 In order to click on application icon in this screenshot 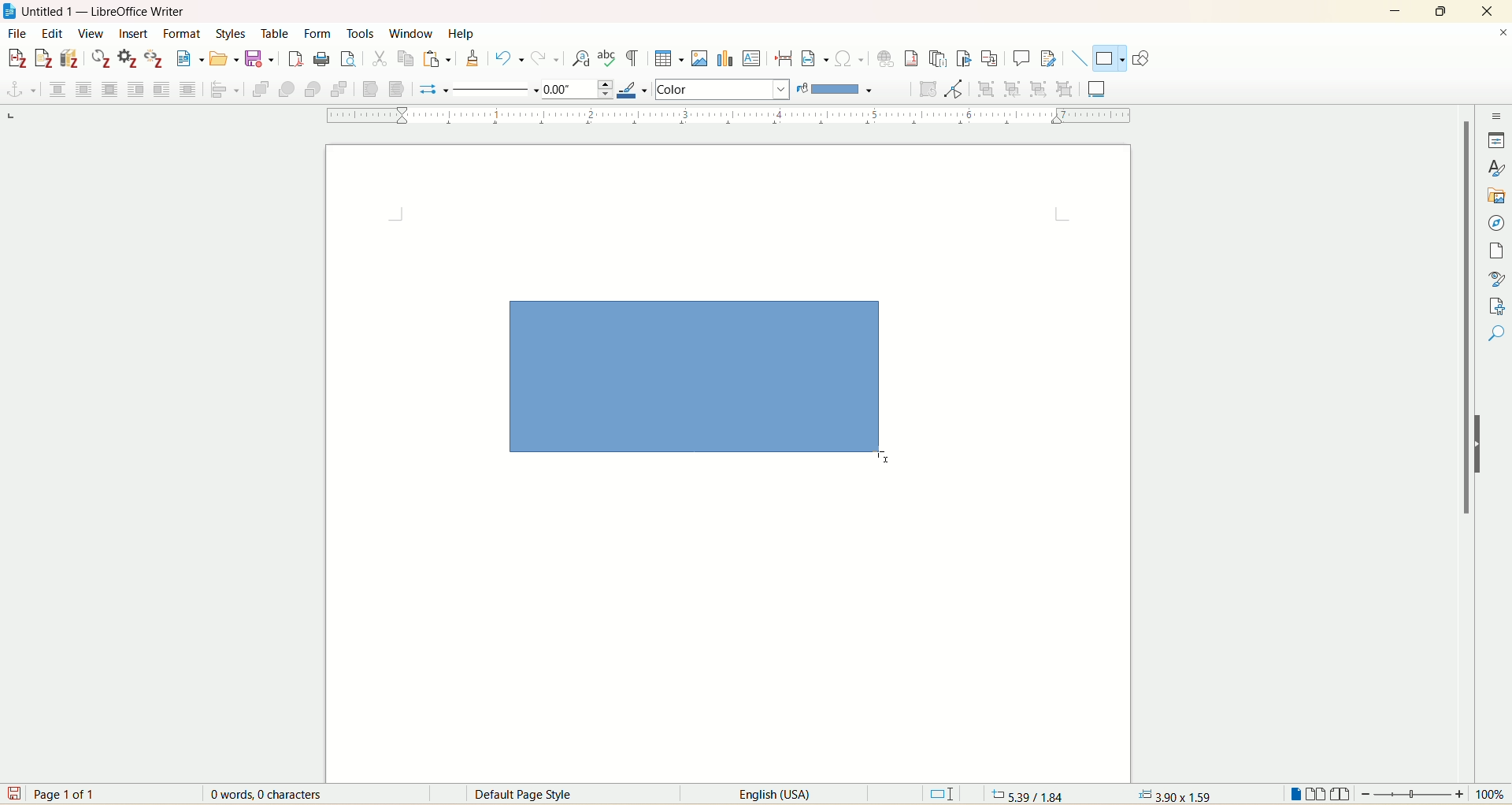, I will do `click(10, 10)`.